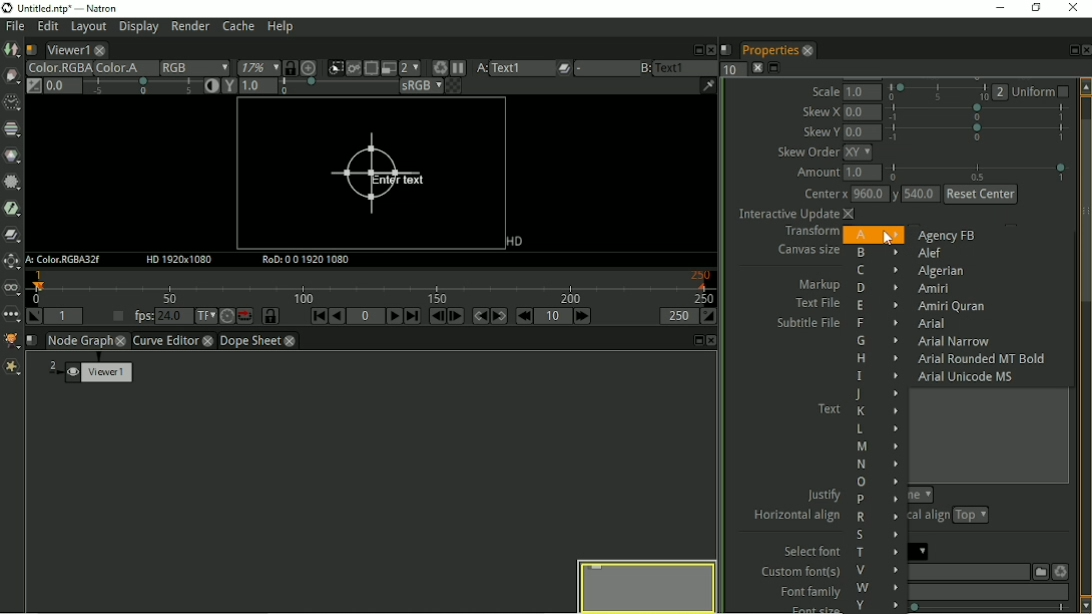 This screenshot has height=614, width=1092. Describe the element at coordinates (733, 69) in the screenshot. I see `Maximum number of panels` at that location.